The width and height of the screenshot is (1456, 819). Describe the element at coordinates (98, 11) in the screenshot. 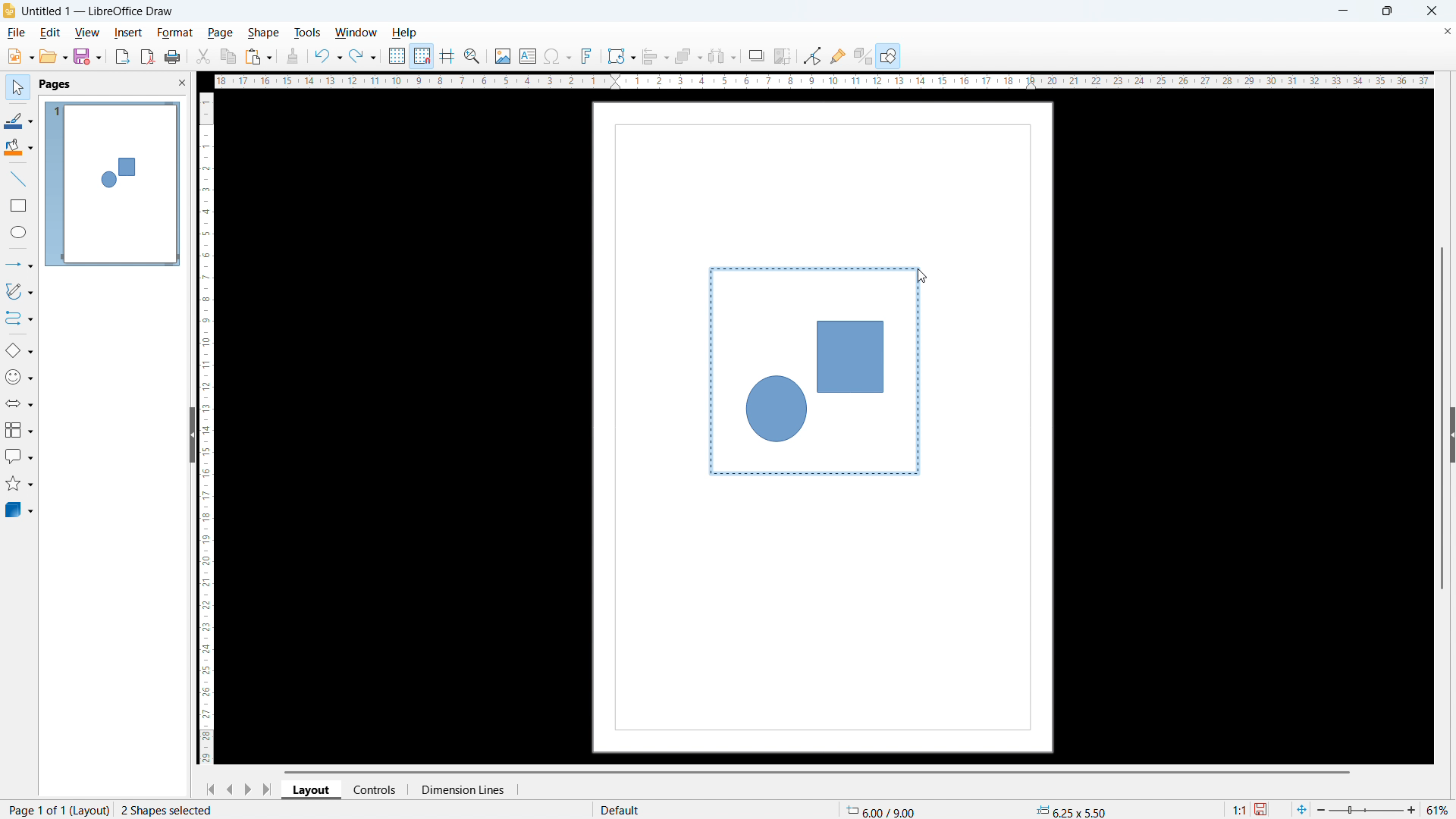

I see `document title` at that location.